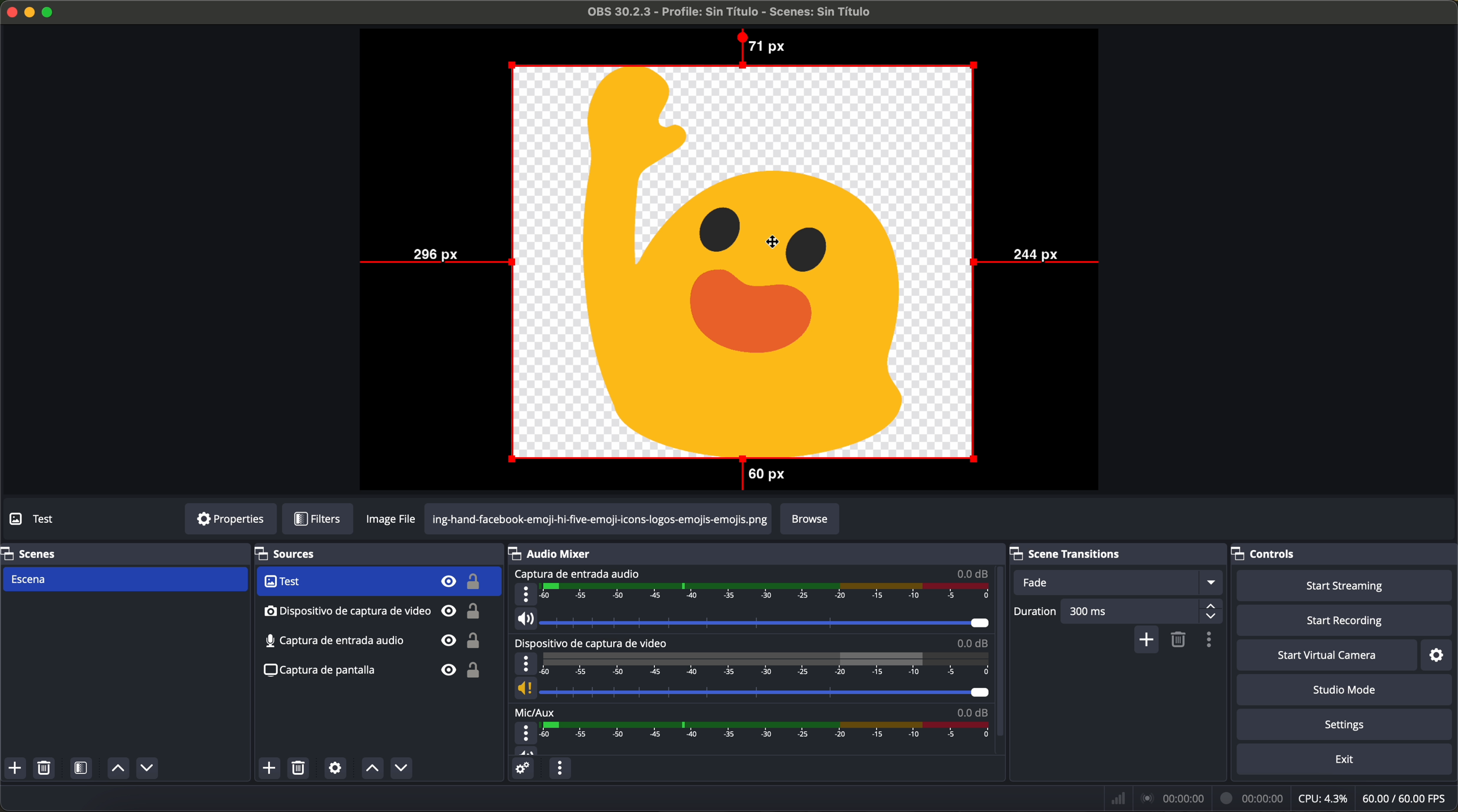 This screenshot has height=812, width=1458. What do you see at coordinates (1346, 621) in the screenshot?
I see `start recording` at bounding box center [1346, 621].